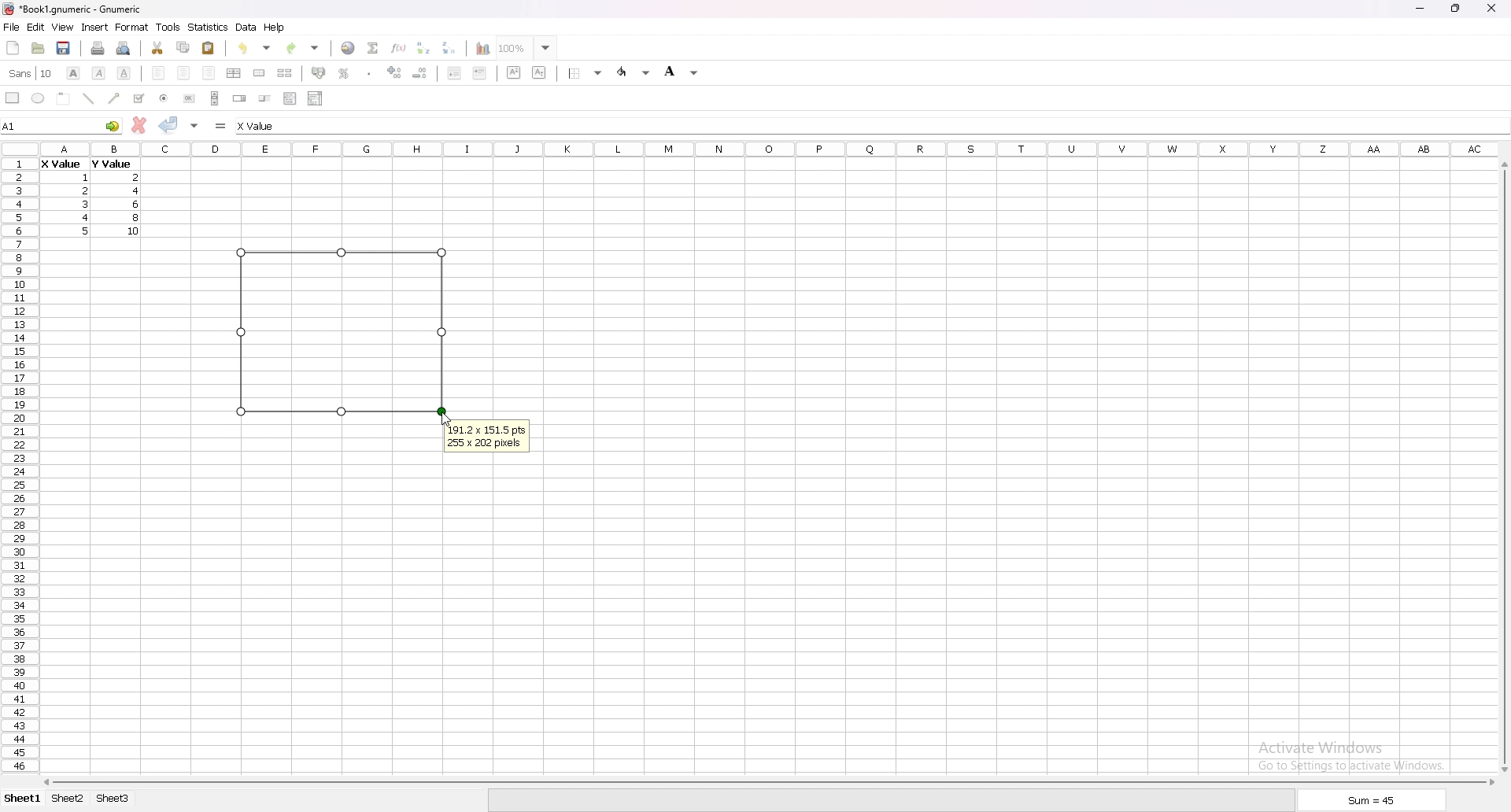 This screenshot has width=1511, height=812. I want to click on left align, so click(158, 72).